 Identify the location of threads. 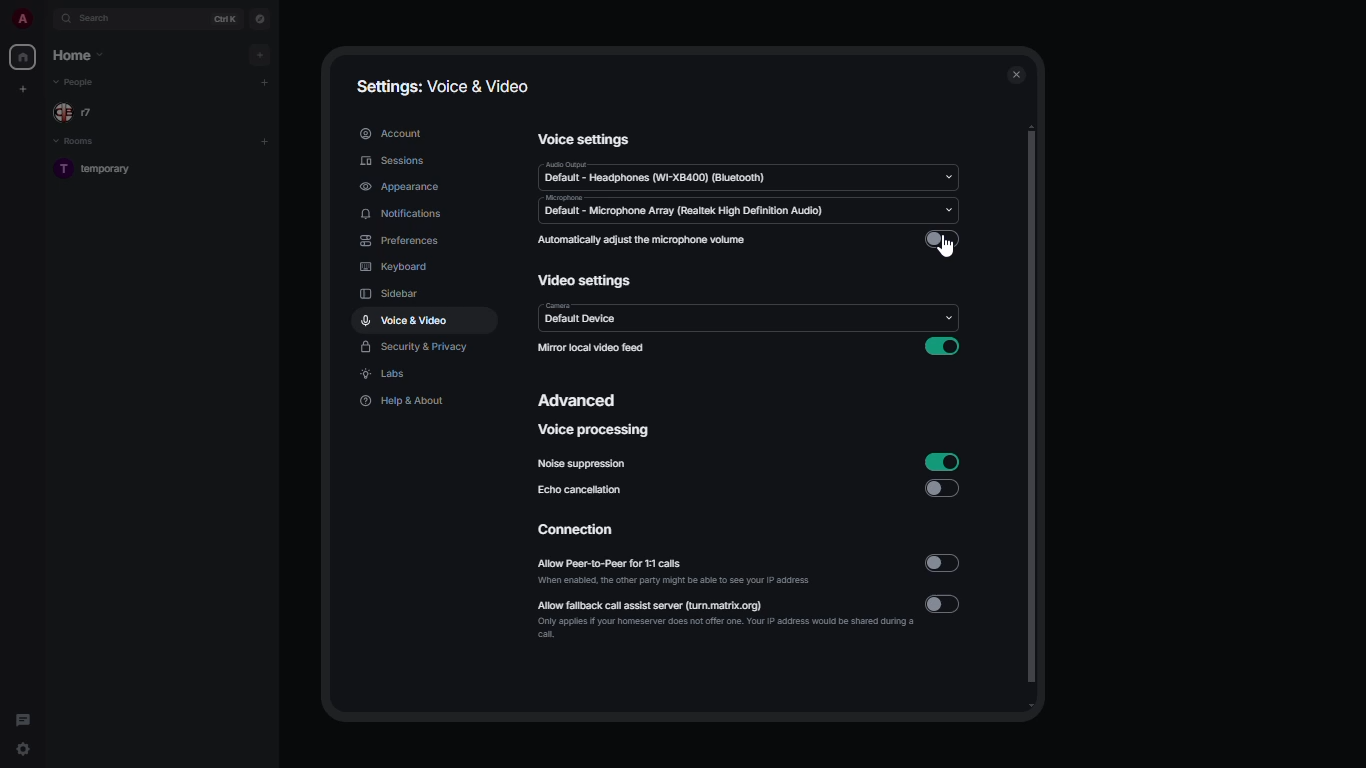
(25, 714).